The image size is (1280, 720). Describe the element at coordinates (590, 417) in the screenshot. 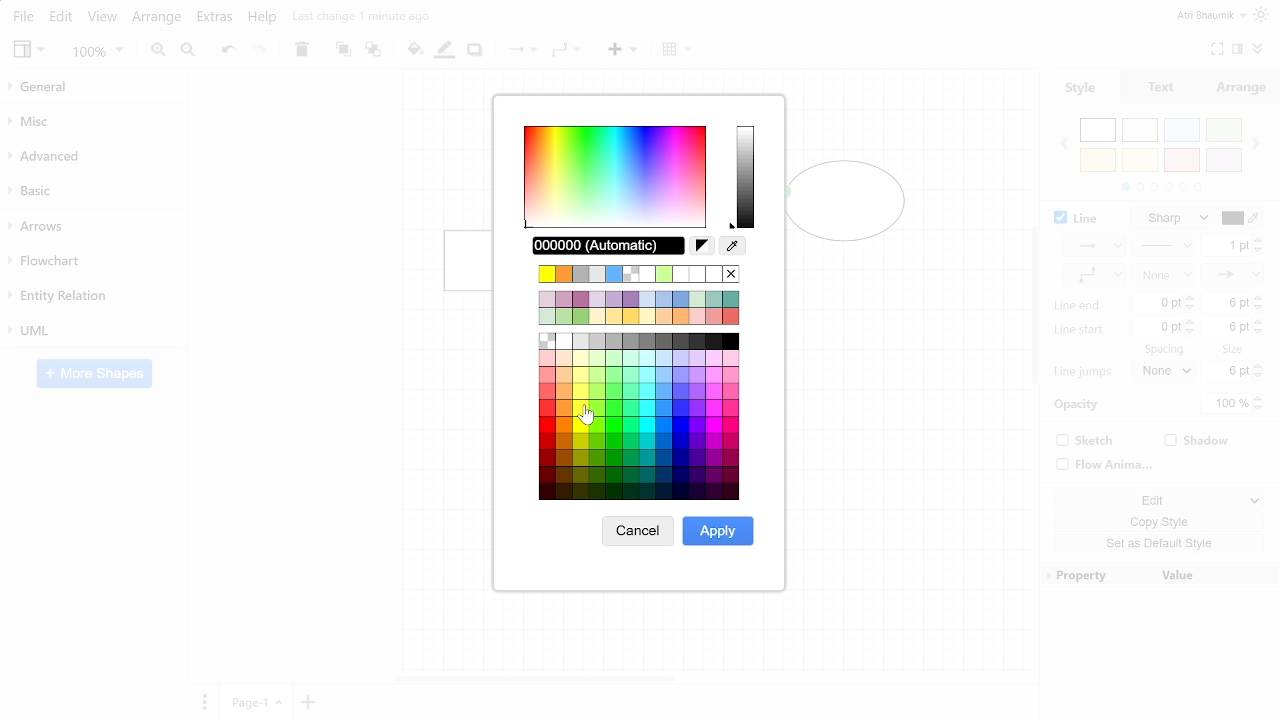

I see `cursor` at that location.